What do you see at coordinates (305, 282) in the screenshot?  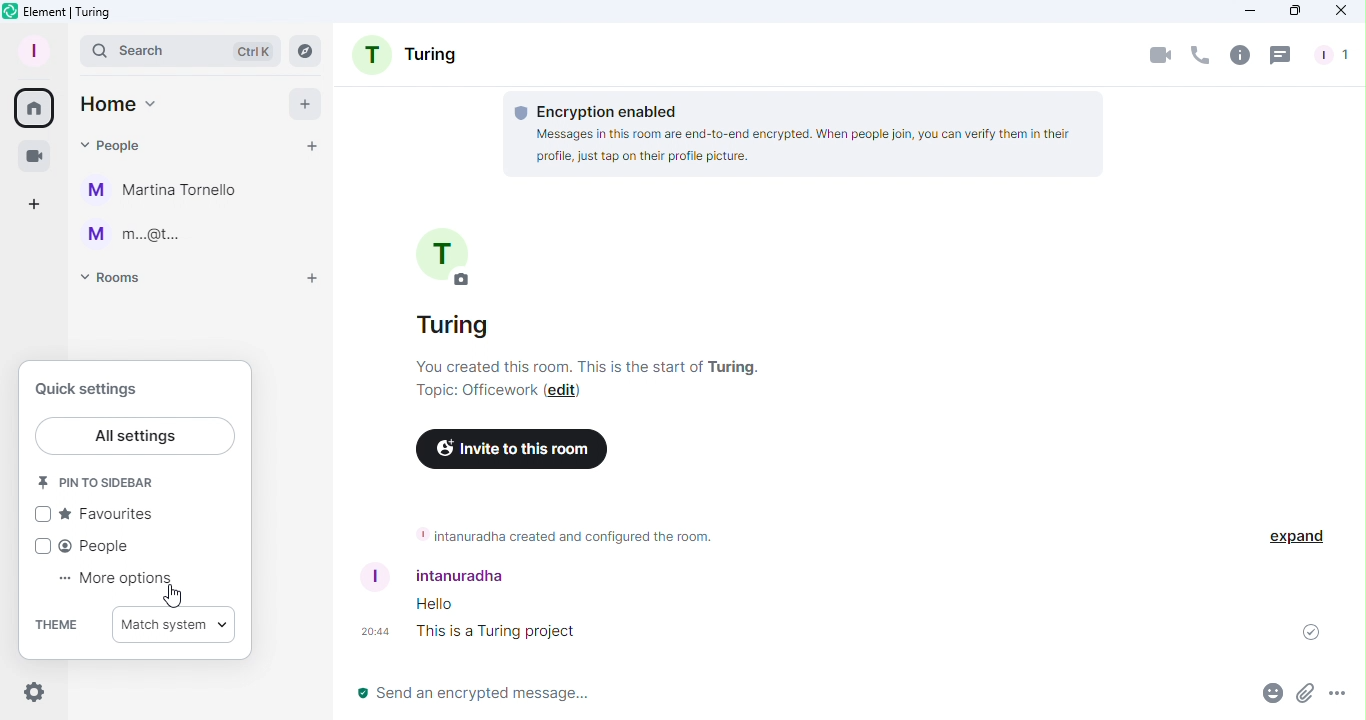 I see `Add room` at bounding box center [305, 282].